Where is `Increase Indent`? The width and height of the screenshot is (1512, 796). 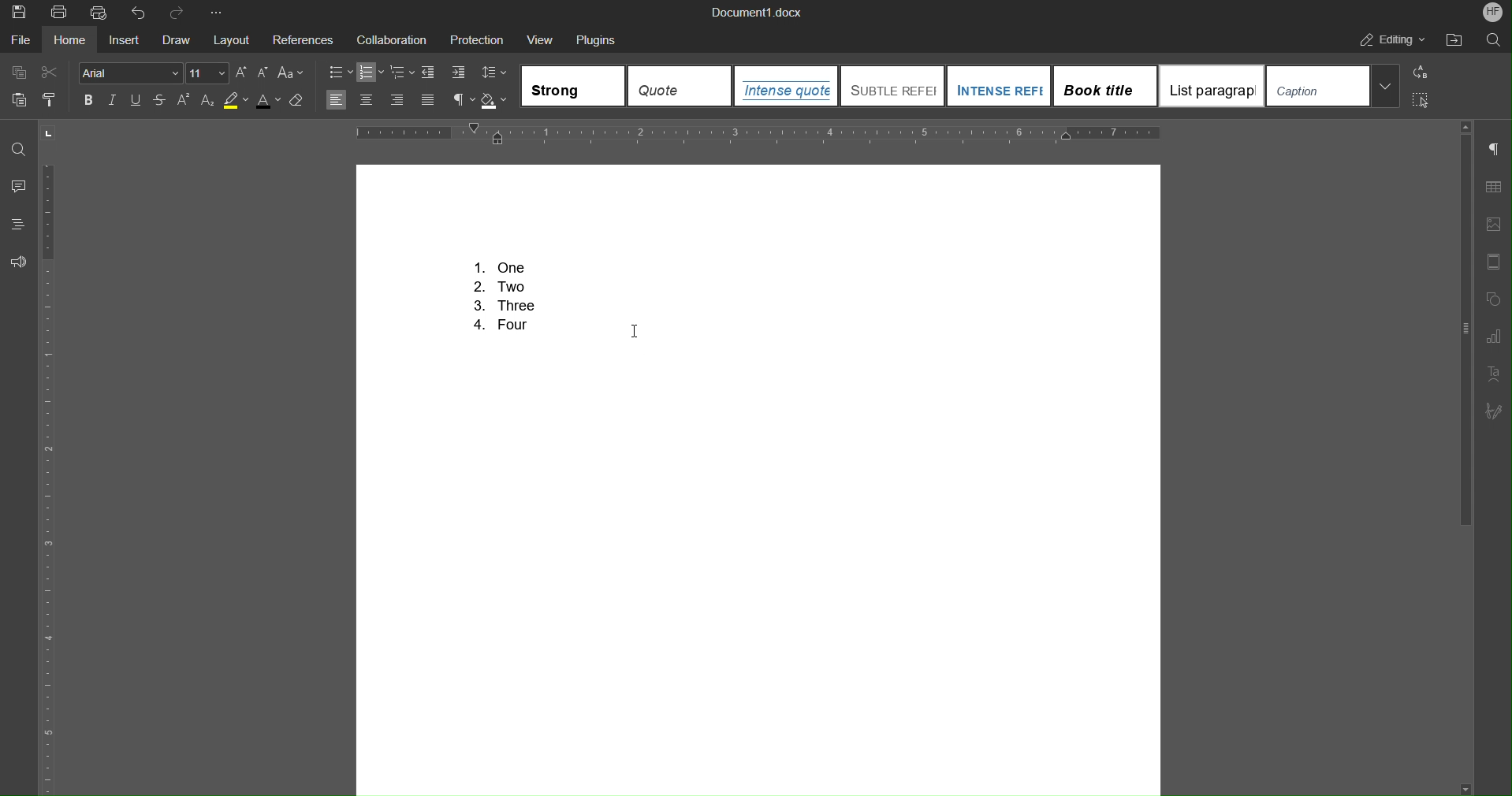 Increase Indent is located at coordinates (456, 73).